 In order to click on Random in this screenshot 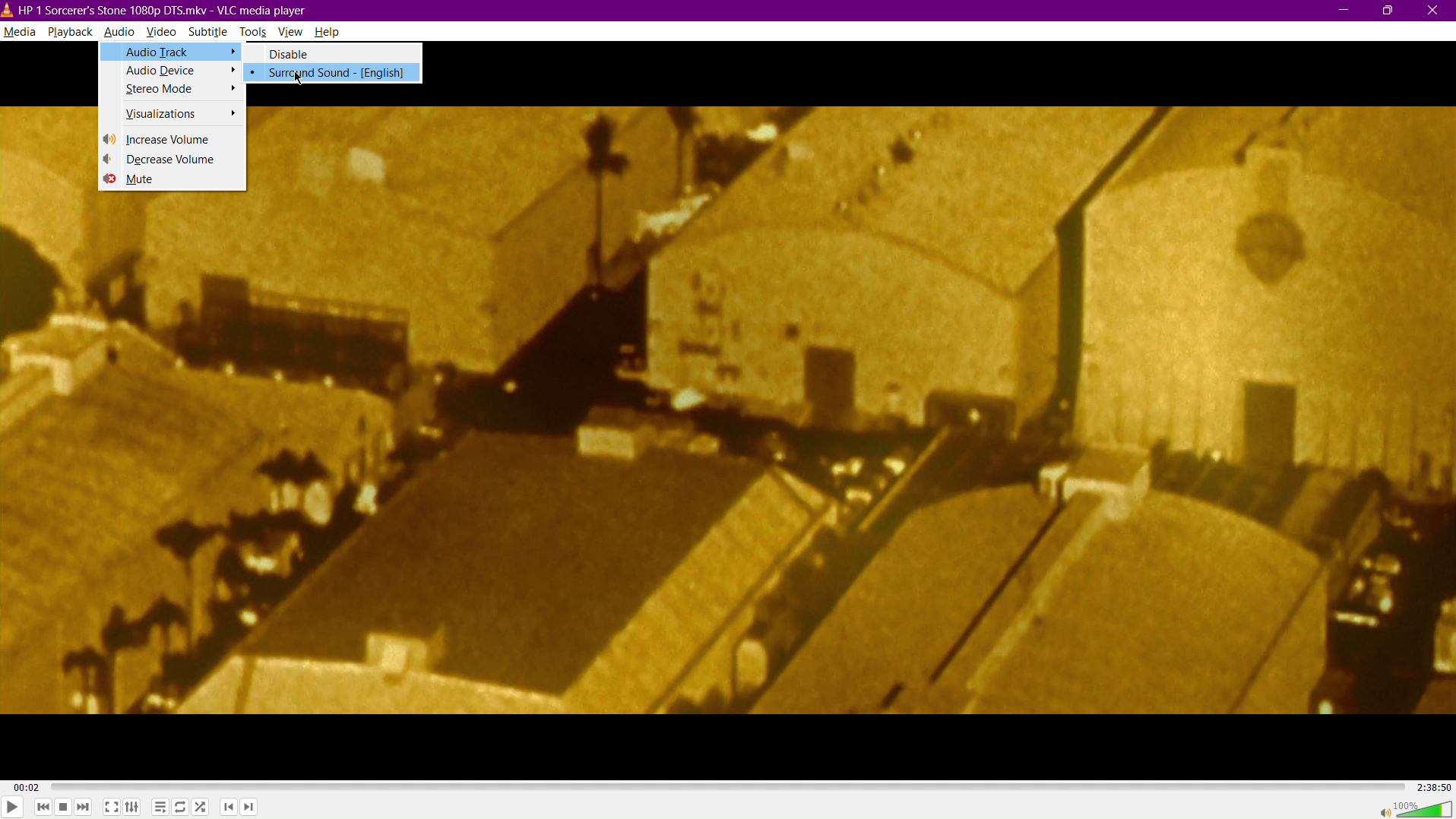, I will do `click(201, 808)`.